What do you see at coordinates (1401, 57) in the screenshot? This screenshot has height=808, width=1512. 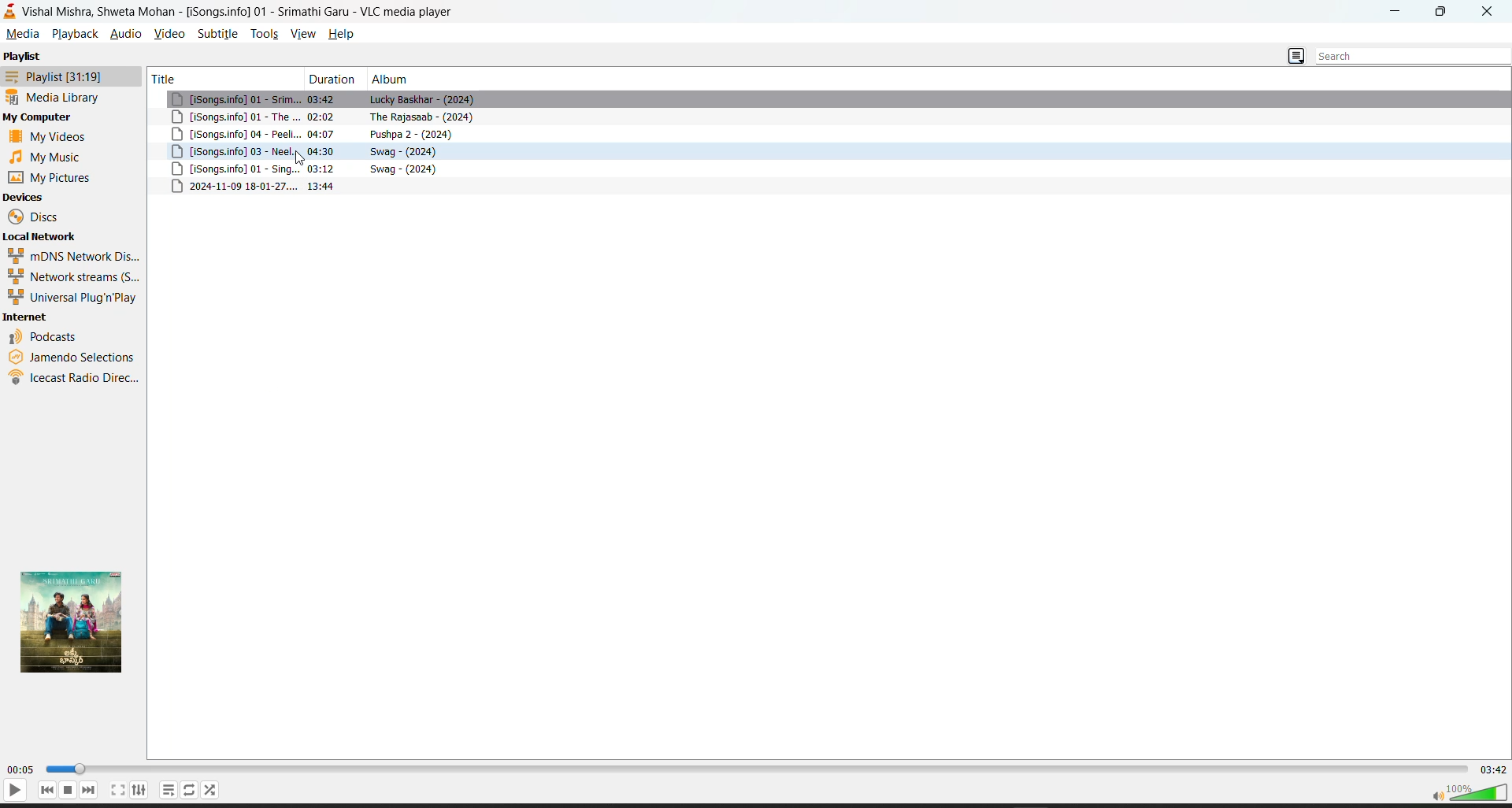 I see `search` at bounding box center [1401, 57].